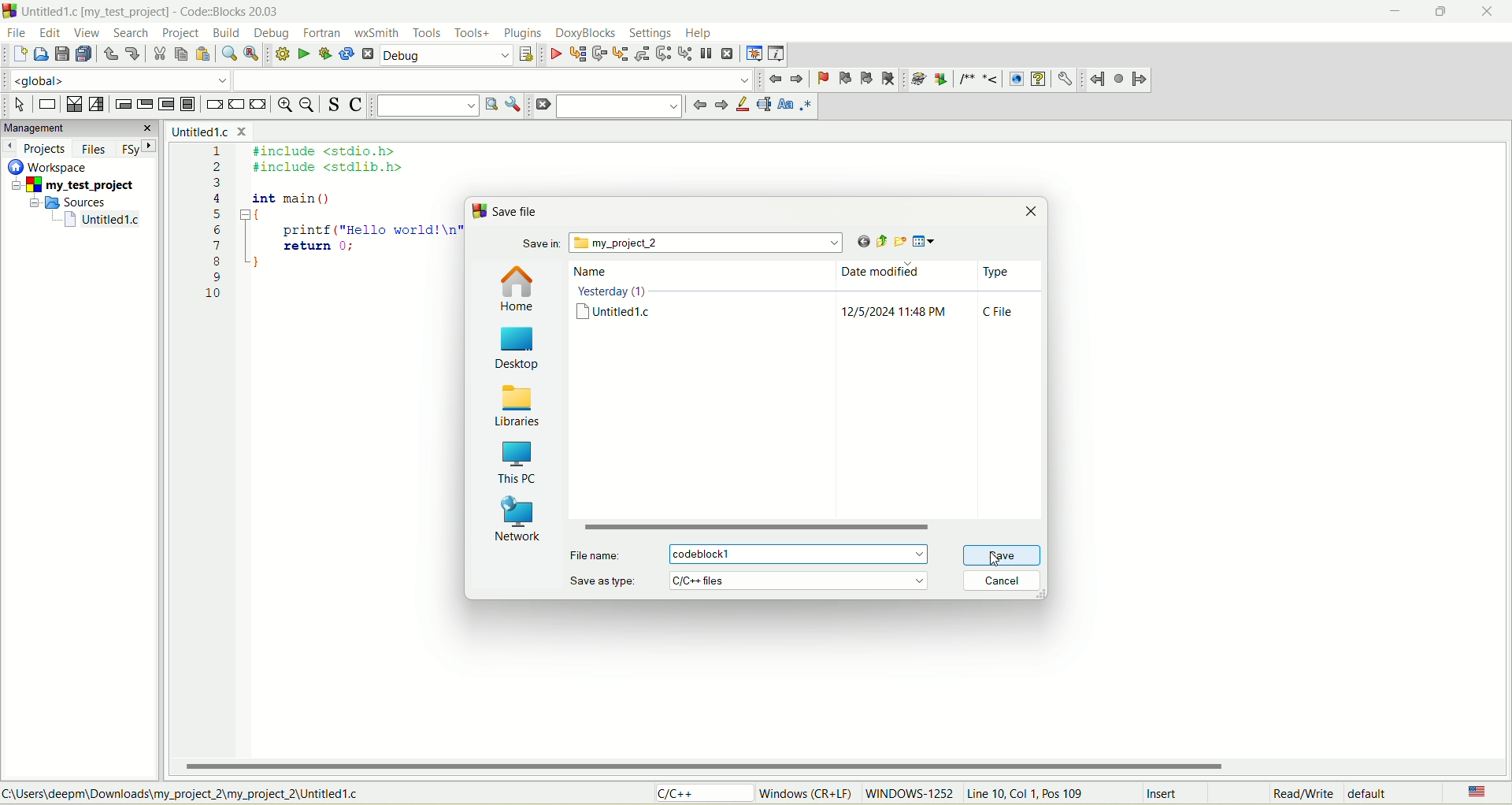 The image size is (1512, 805). Describe the element at coordinates (494, 80) in the screenshot. I see `blank space` at that location.